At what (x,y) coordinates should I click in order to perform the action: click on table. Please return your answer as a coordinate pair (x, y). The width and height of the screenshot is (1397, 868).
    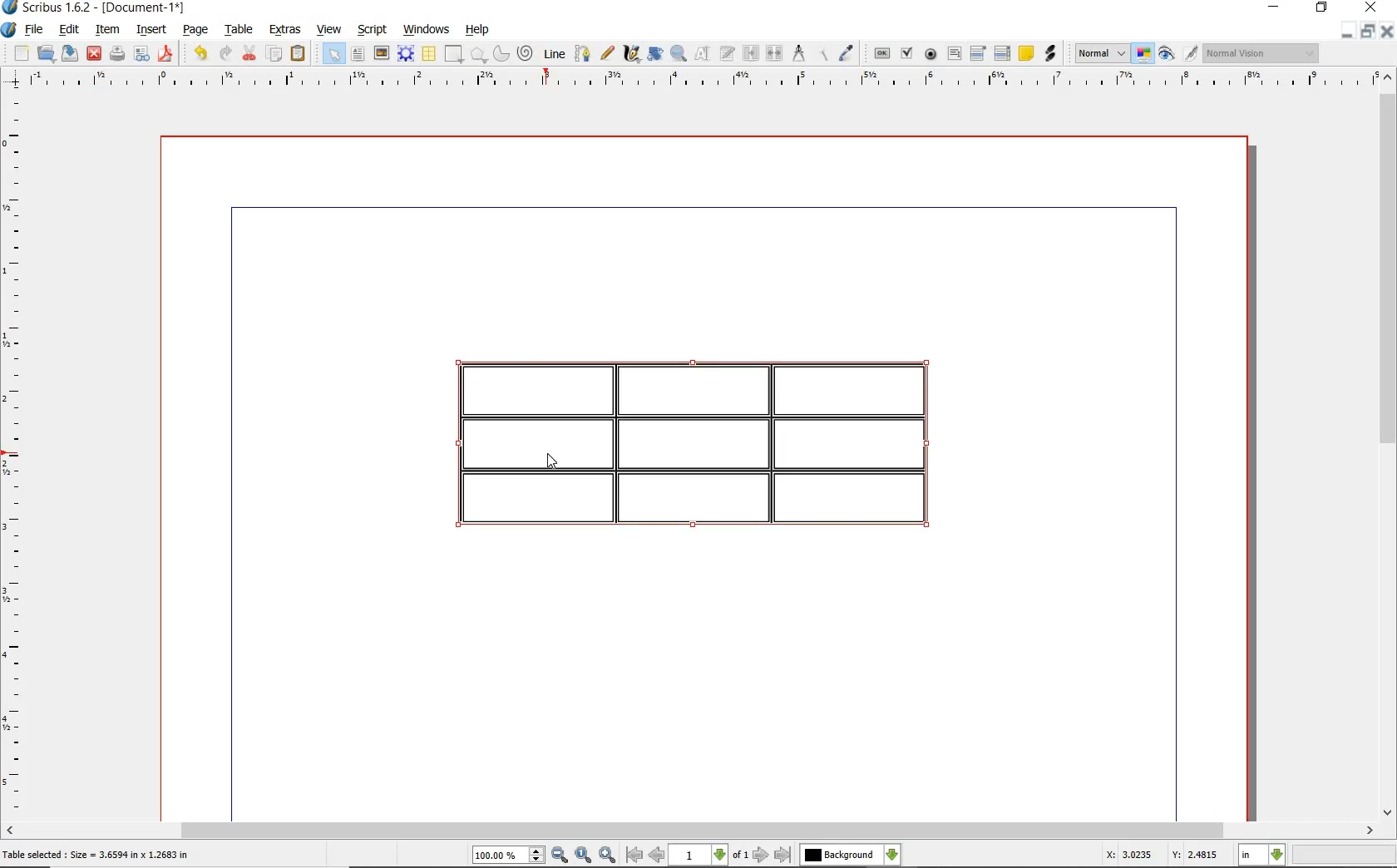
    Looking at the image, I should click on (239, 30).